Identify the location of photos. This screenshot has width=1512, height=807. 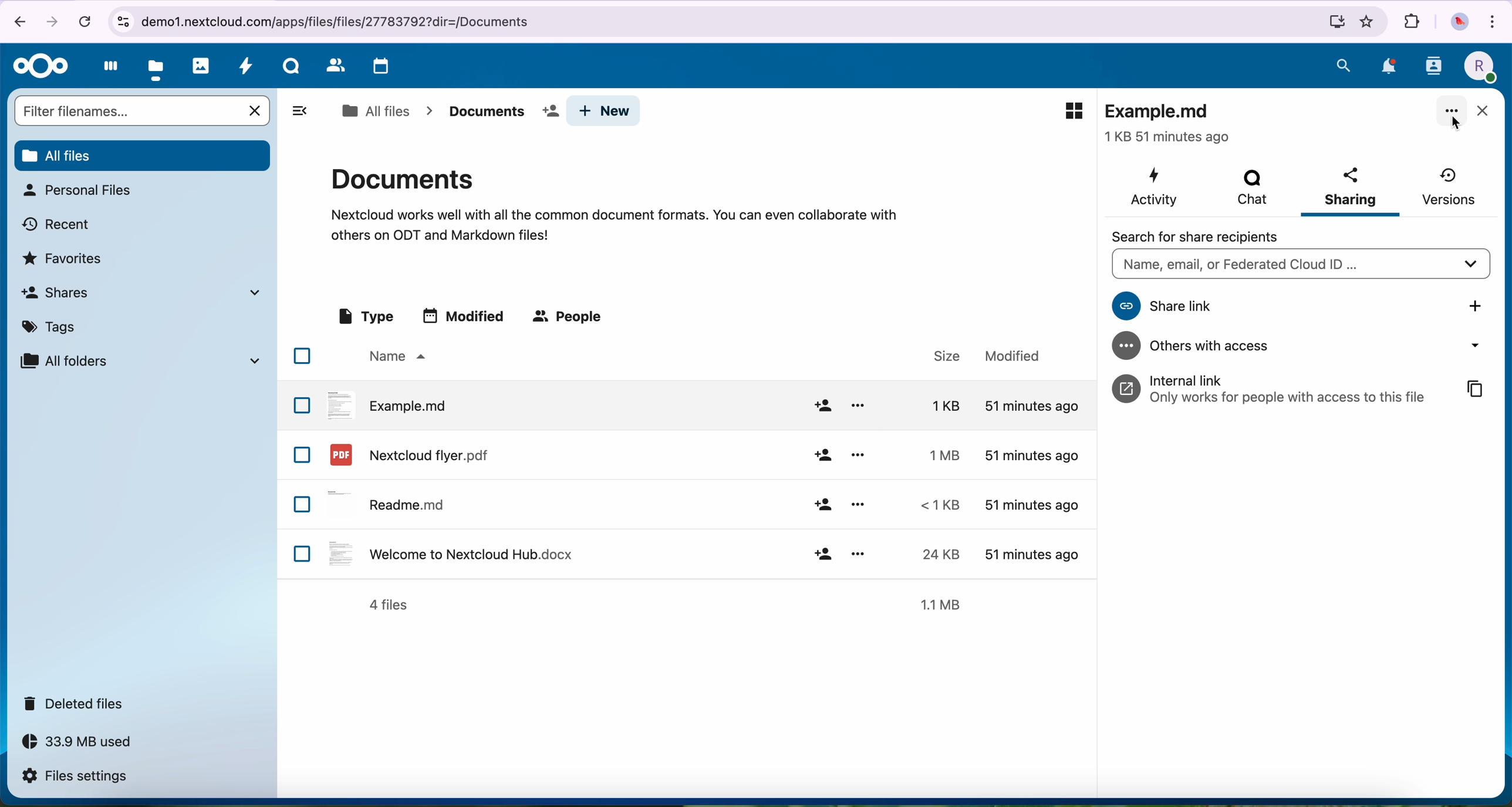
(201, 66).